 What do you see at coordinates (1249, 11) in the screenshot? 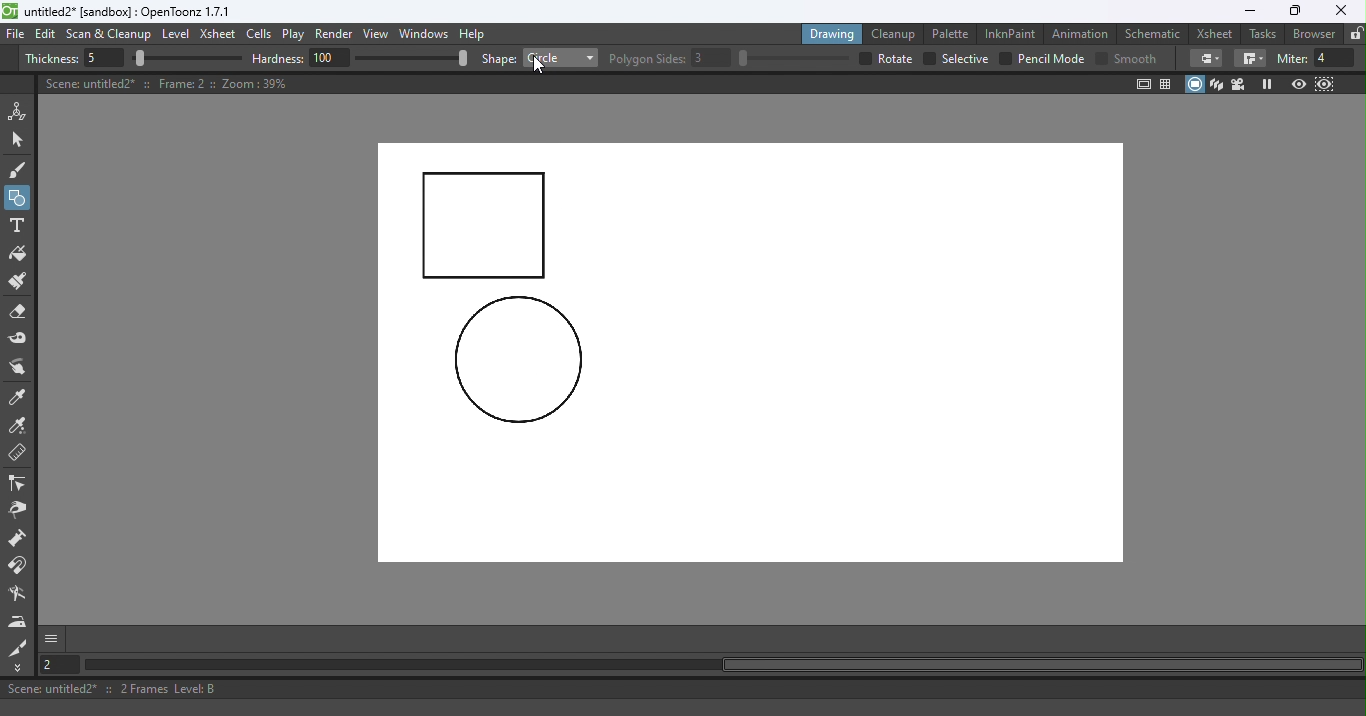
I see `Minimize` at bounding box center [1249, 11].